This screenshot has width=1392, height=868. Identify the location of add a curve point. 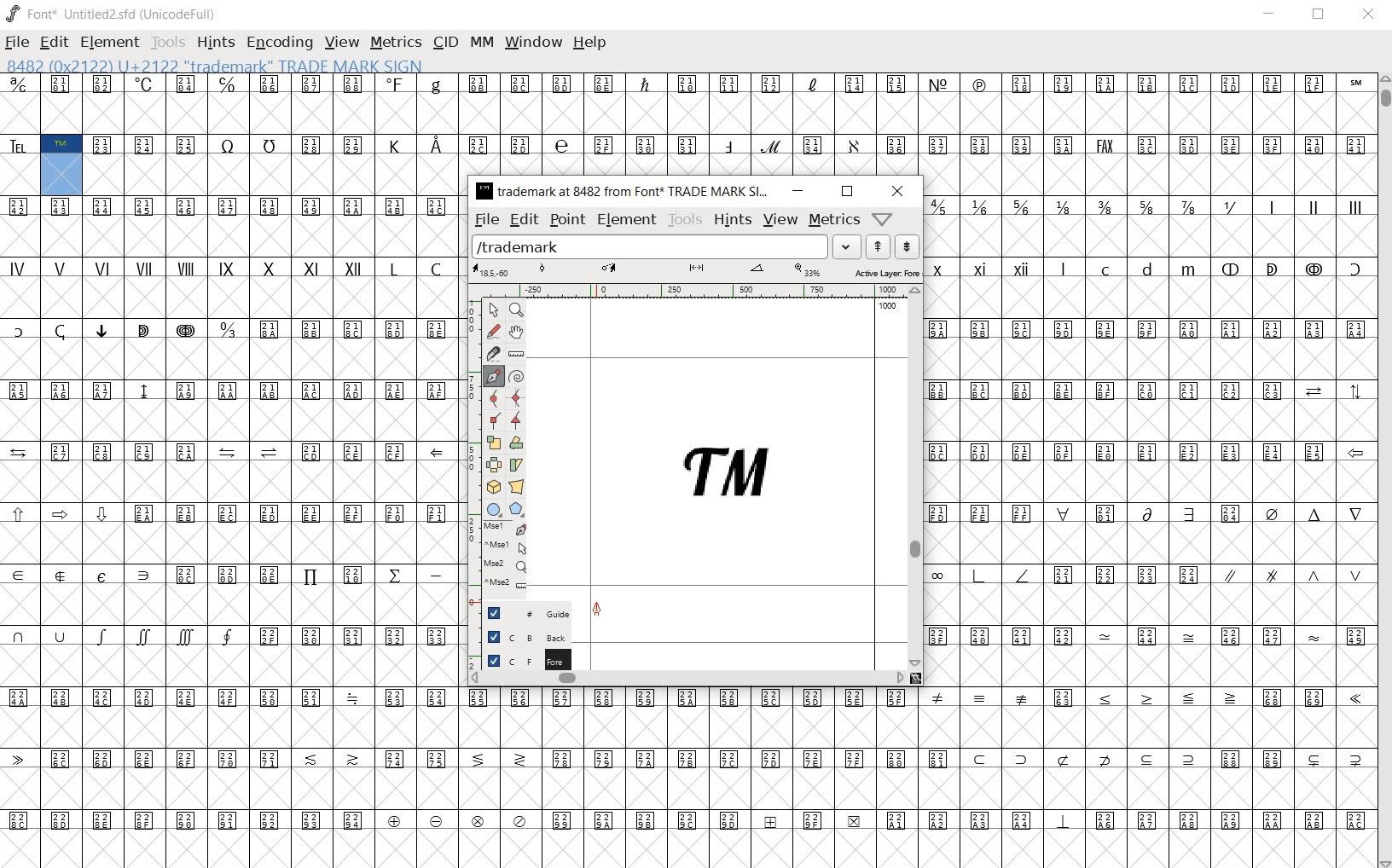
(493, 396).